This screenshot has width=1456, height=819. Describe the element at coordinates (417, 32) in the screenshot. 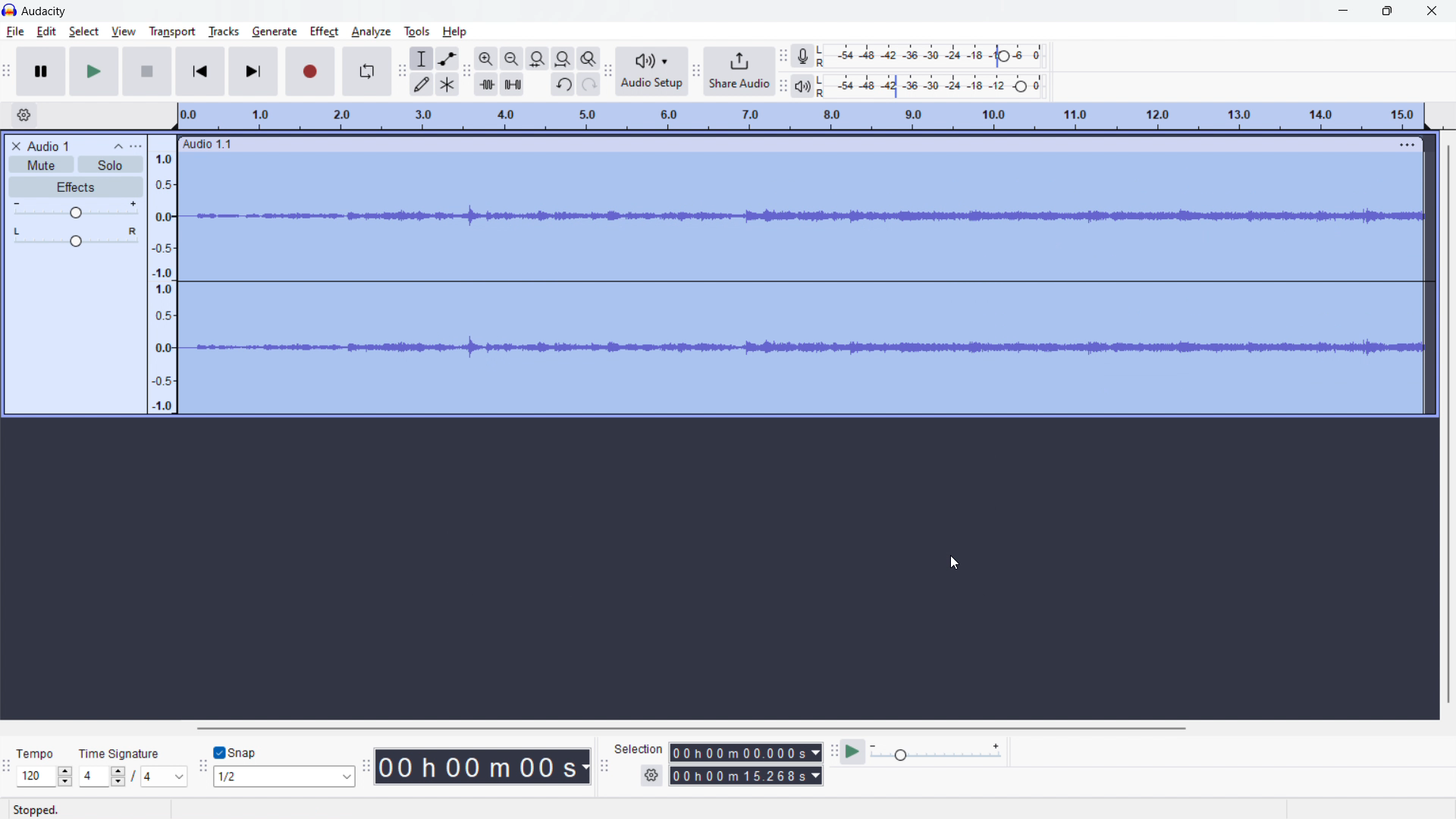

I see `tools` at that location.